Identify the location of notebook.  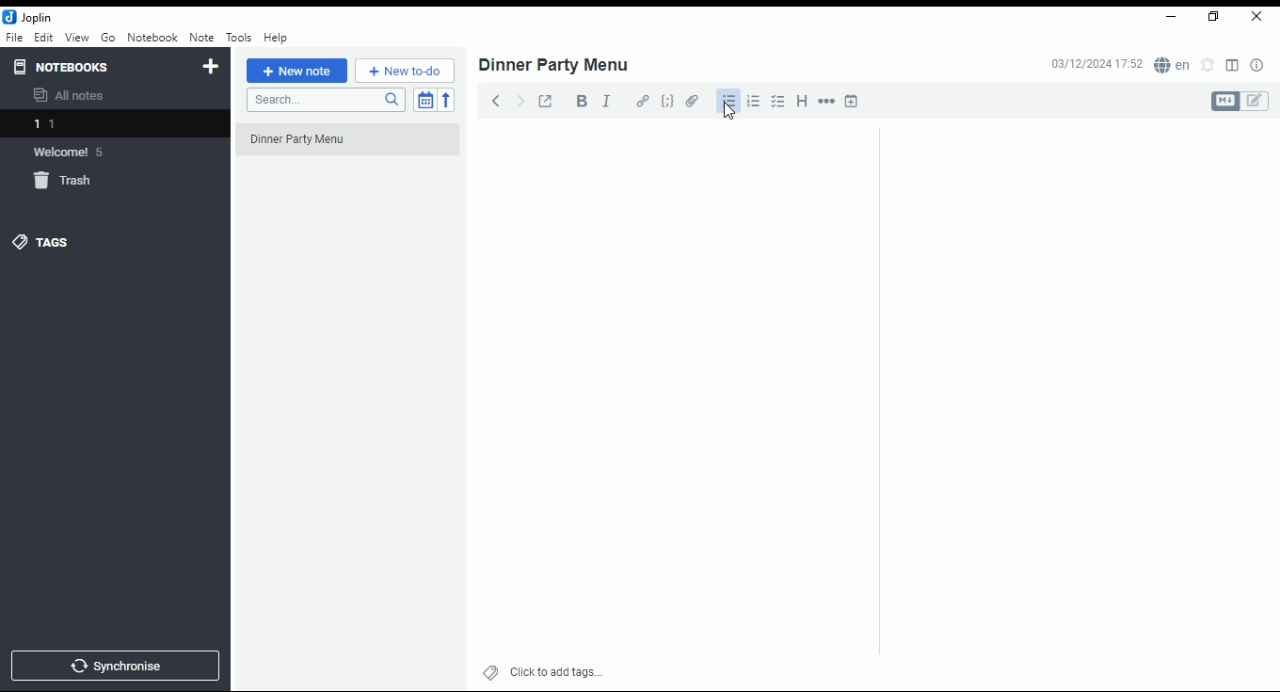
(152, 37).